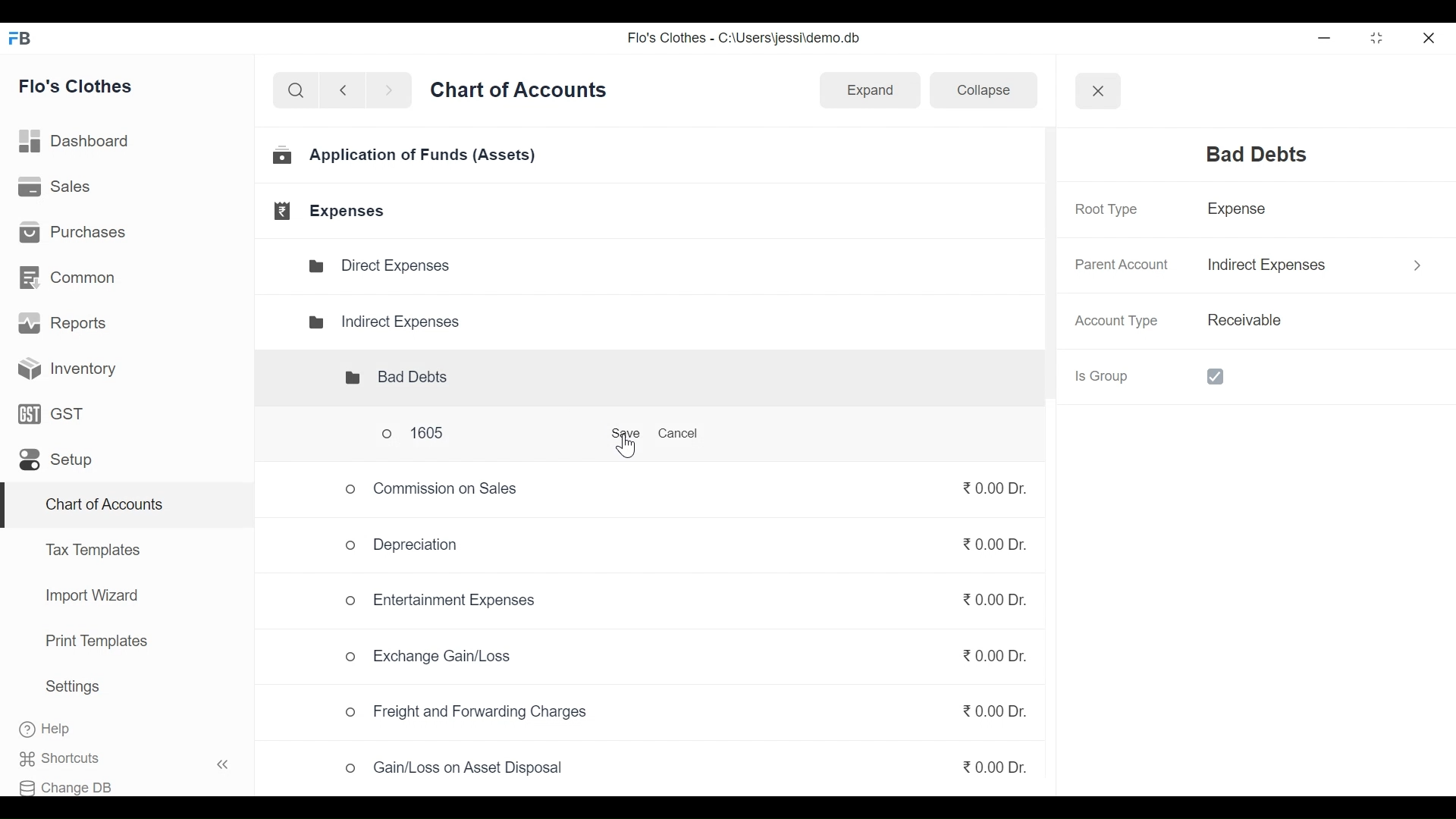  I want to click on ₹0.00 Dr., so click(990, 490).